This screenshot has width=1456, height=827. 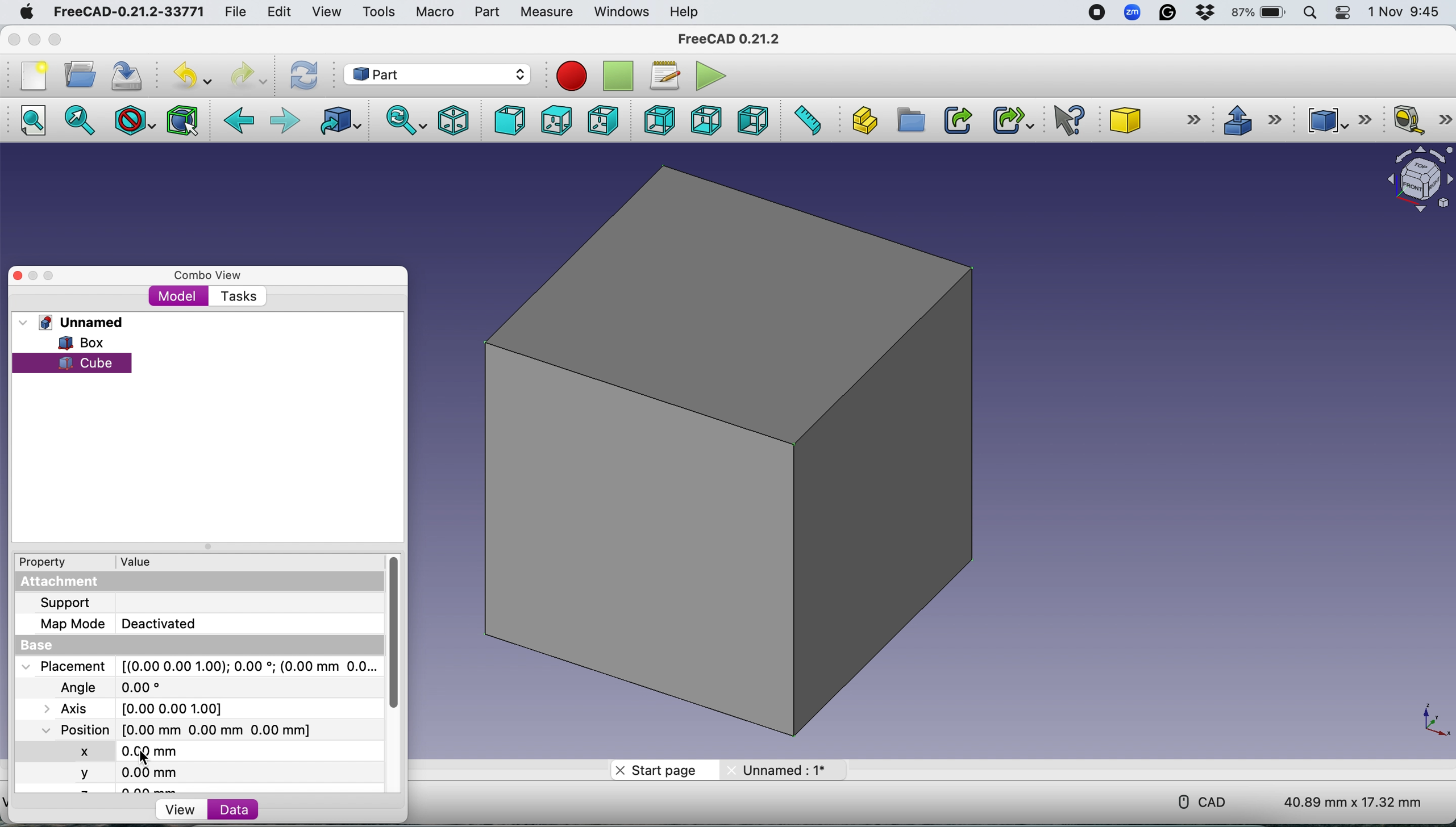 What do you see at coordinates (1313, 12) in the screenshot?
I see `Spotlight search` at bounding box center [1313, 12].